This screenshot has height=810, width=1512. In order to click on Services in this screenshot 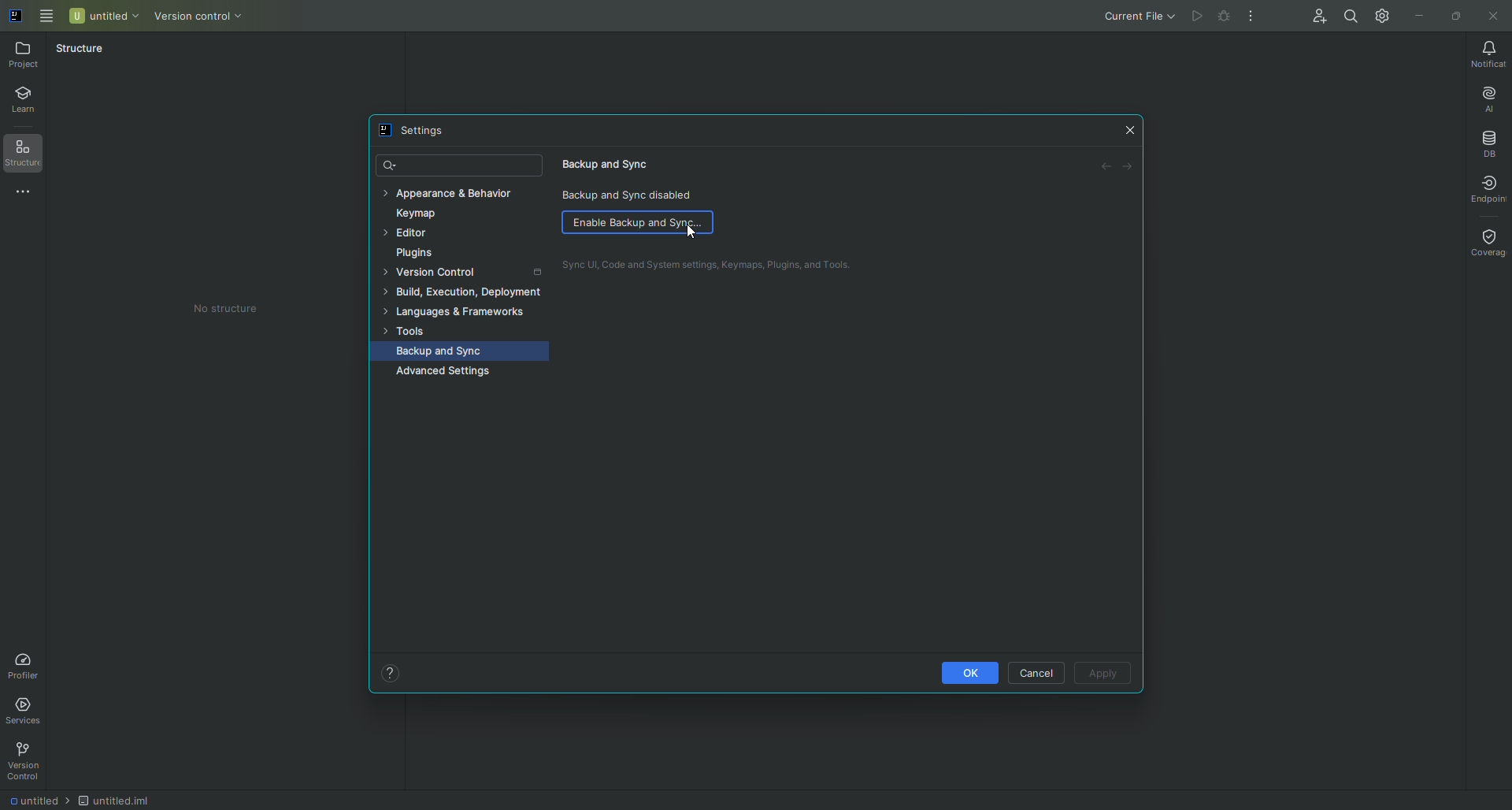, I will do `click(28, 708)`.